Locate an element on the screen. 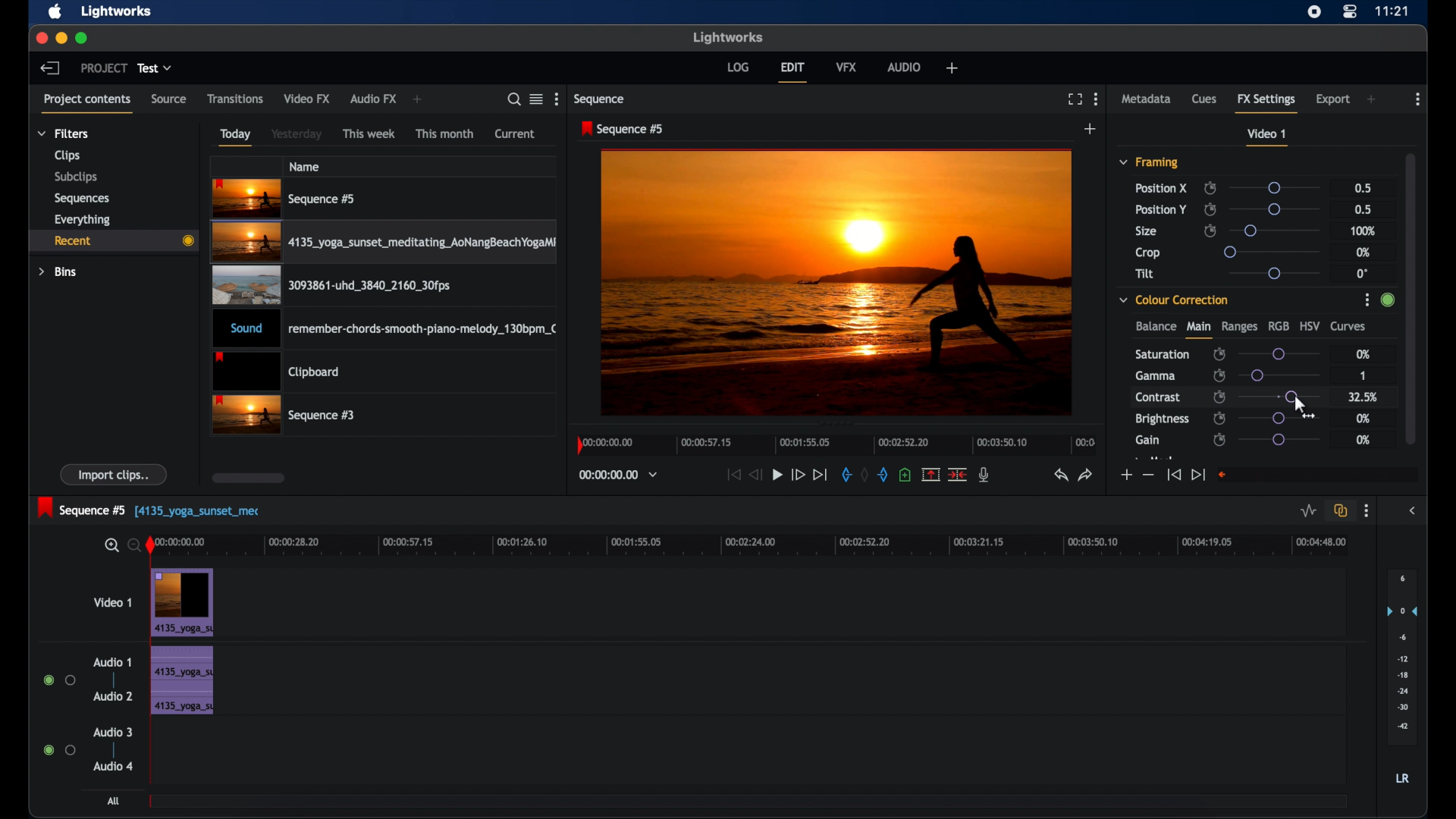 The height and width of the screenshot is (819, 1456). screen recorder icon is located at coordinates (1314, 12).